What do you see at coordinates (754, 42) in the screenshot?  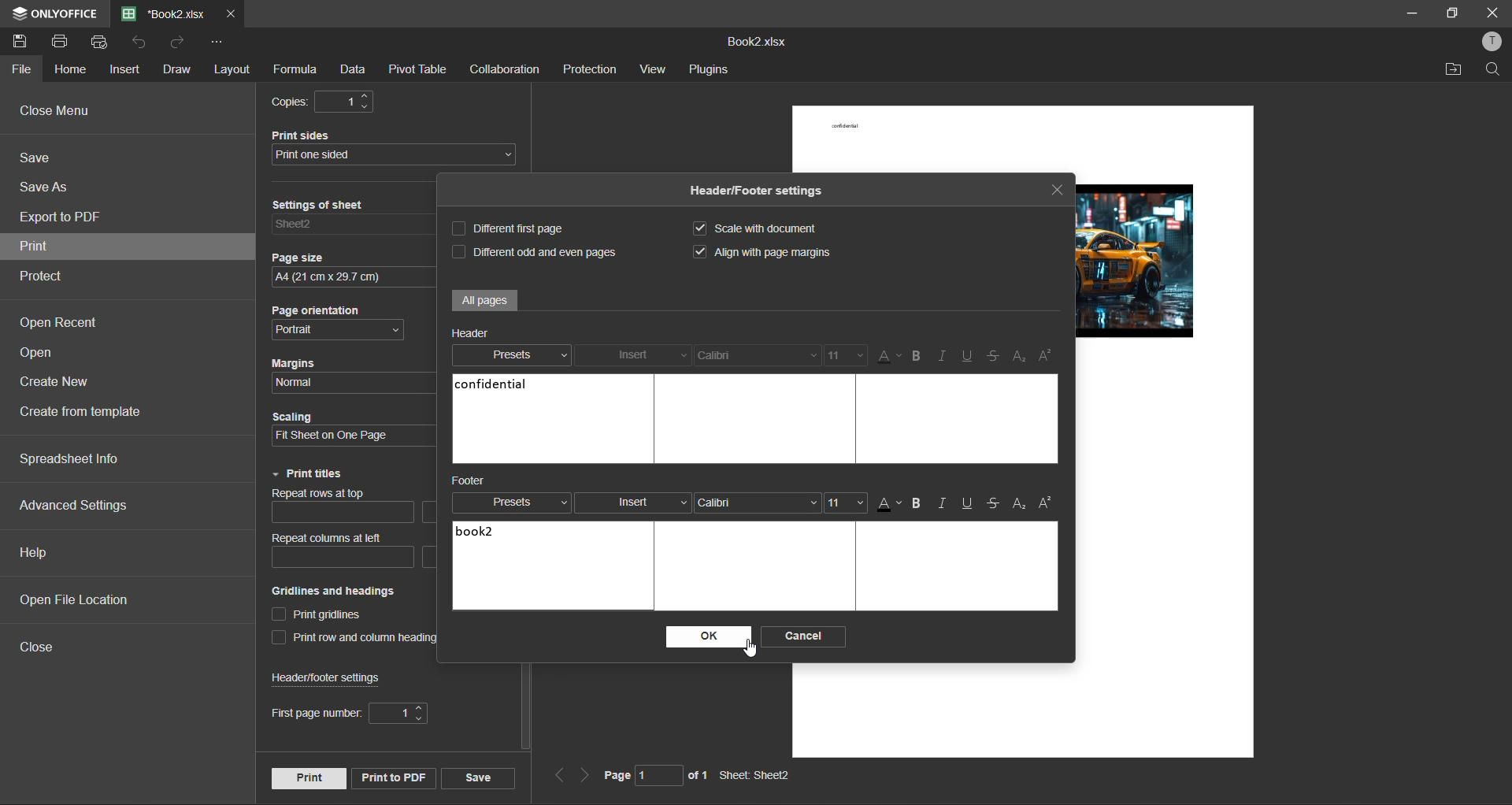 I see `Book2.xlsx` at bounding box center [754, 42].